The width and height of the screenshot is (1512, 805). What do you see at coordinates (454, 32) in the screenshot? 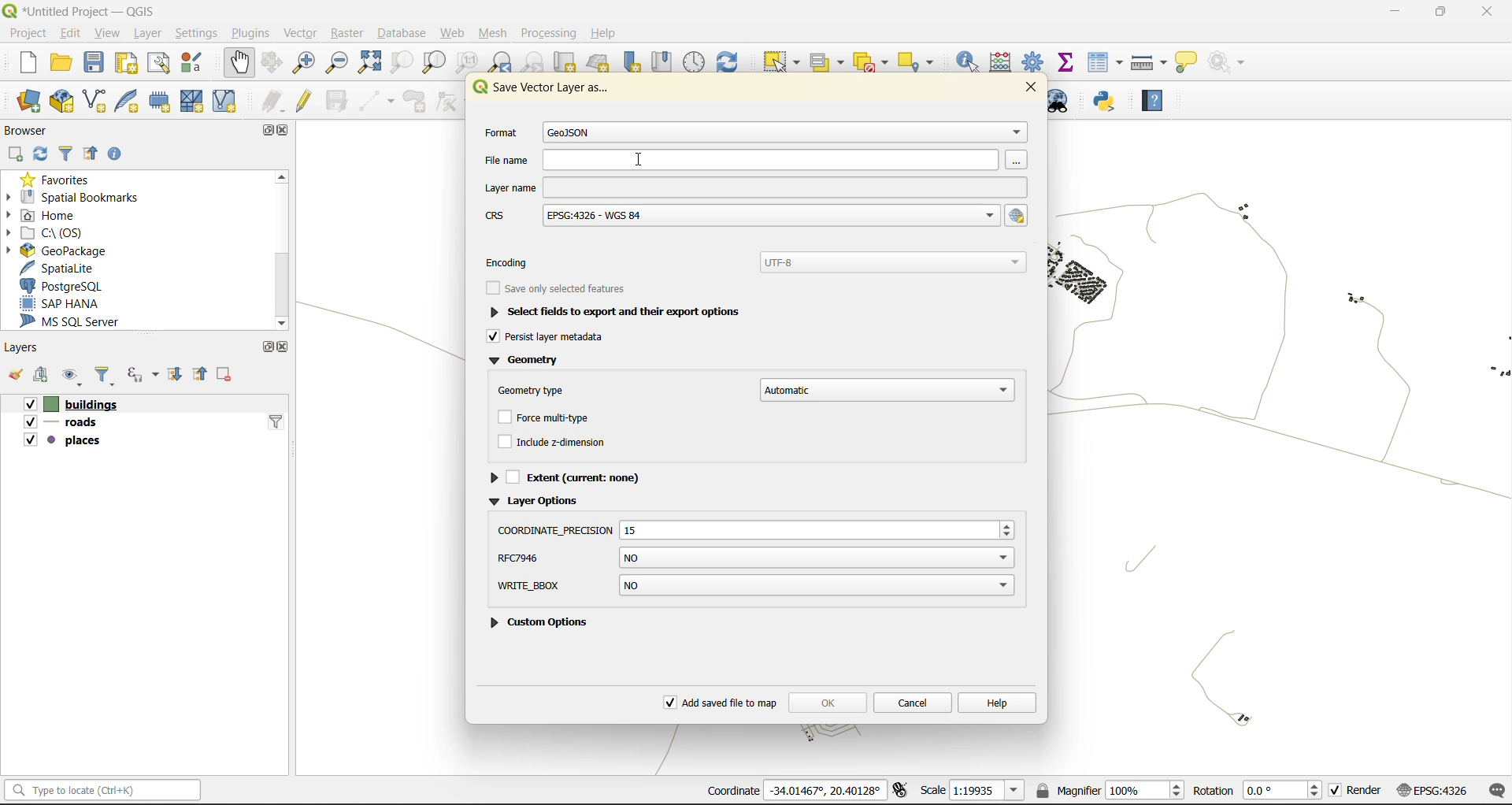
I see `web` at bounding box center [454, 32].